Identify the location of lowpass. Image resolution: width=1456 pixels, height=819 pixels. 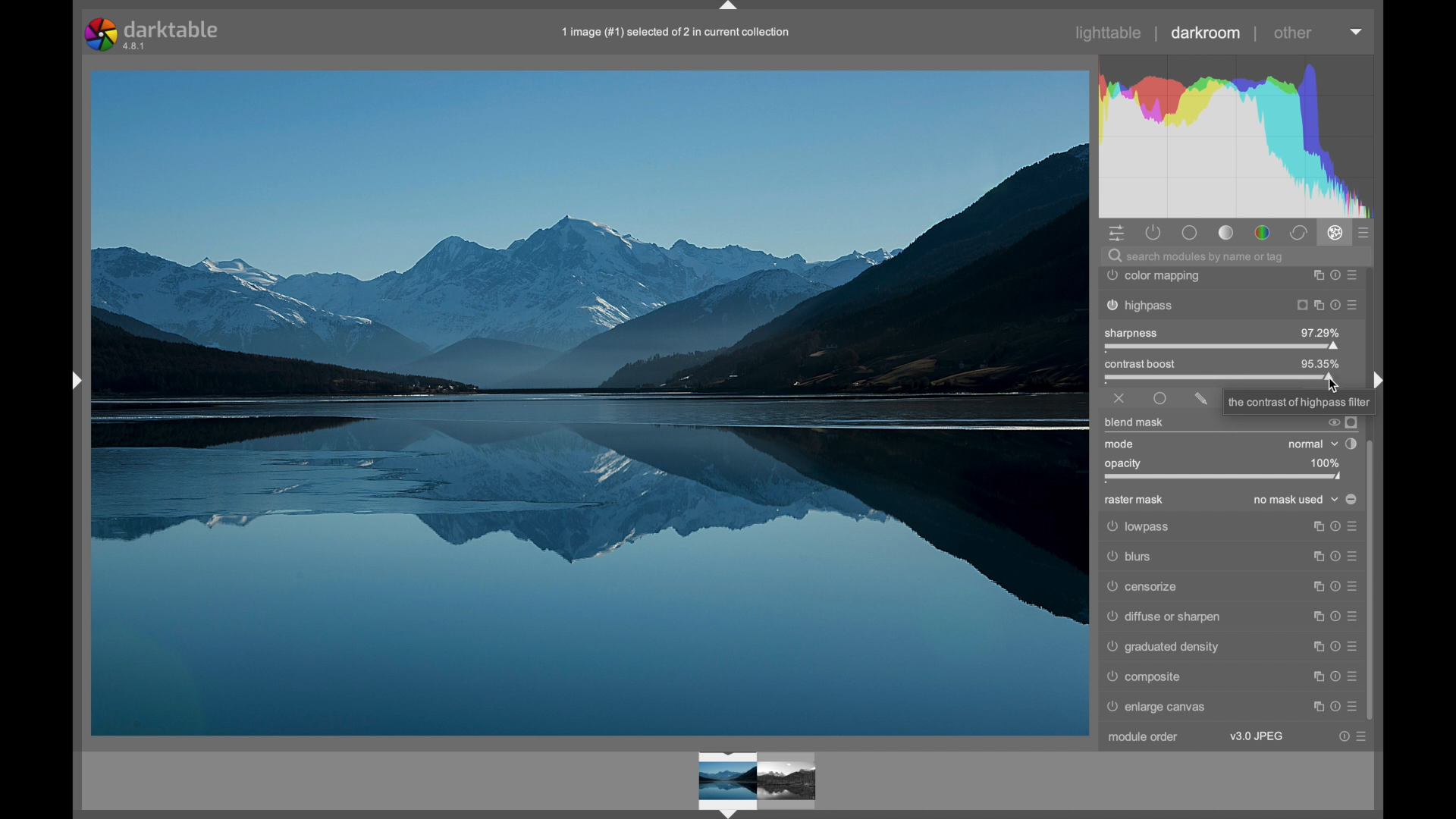
(1229, 528).